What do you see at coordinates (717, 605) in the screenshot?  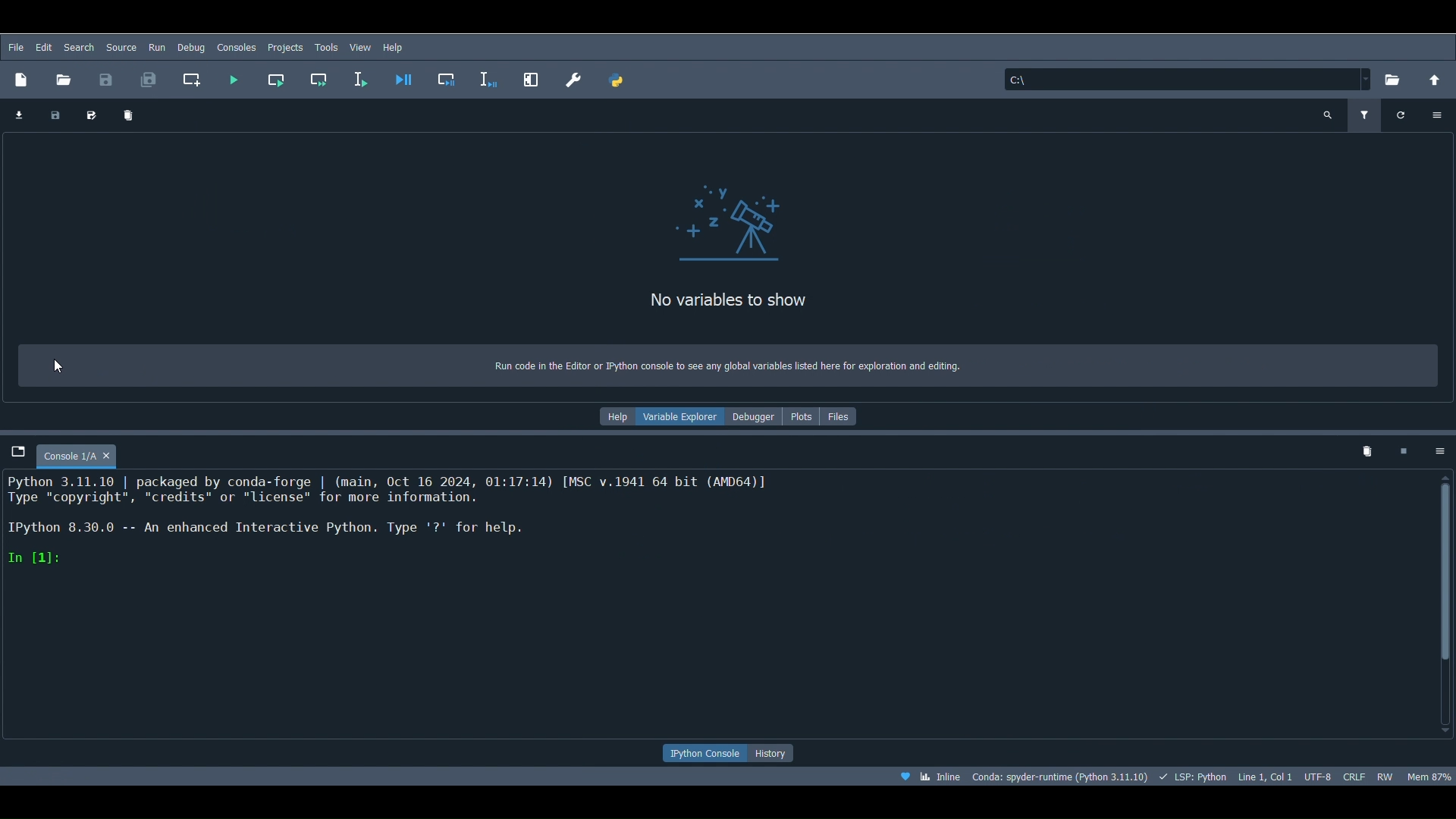 I see `Console` at bounding box center [717, 605].